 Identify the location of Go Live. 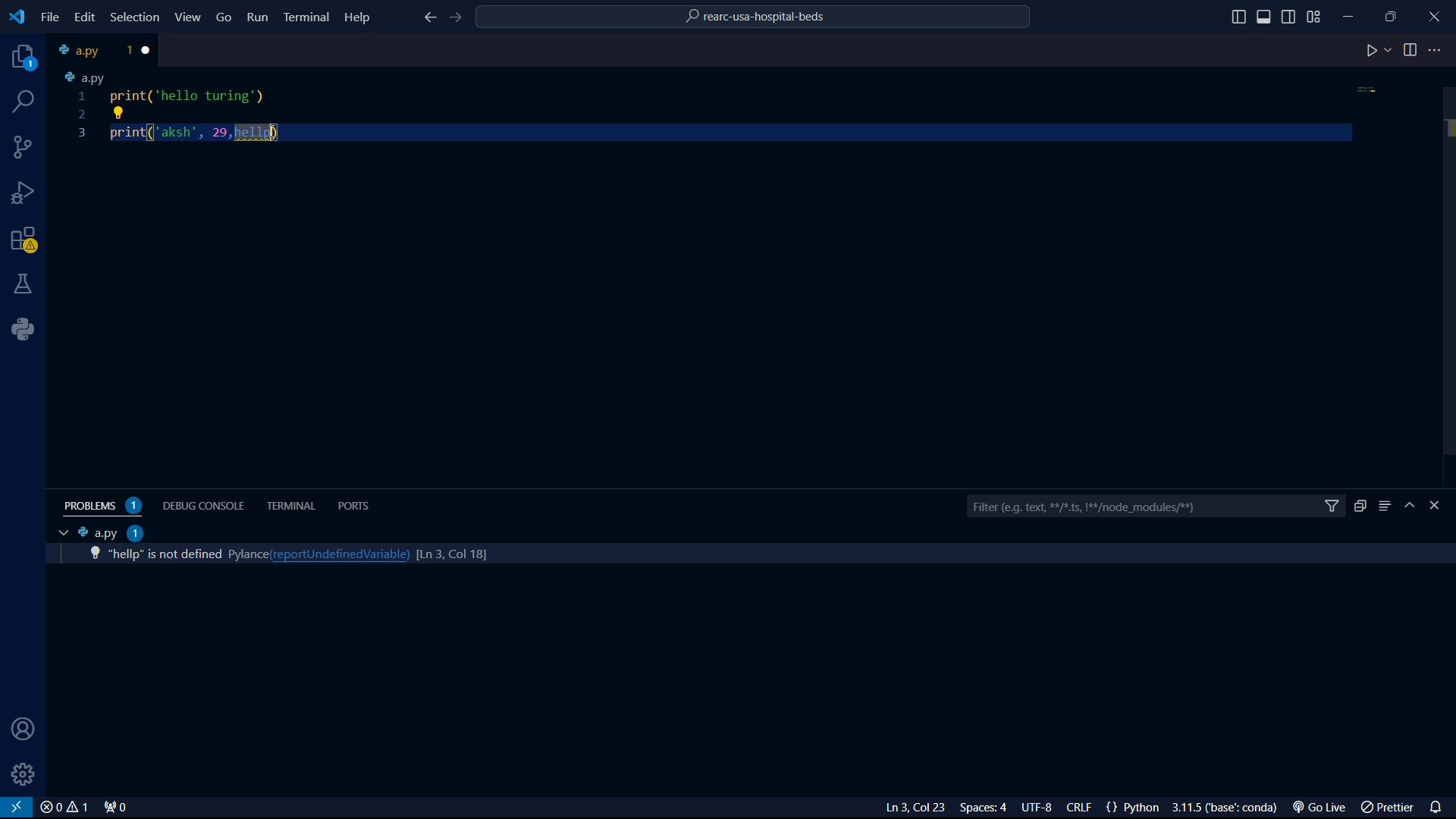
(1323, 808).